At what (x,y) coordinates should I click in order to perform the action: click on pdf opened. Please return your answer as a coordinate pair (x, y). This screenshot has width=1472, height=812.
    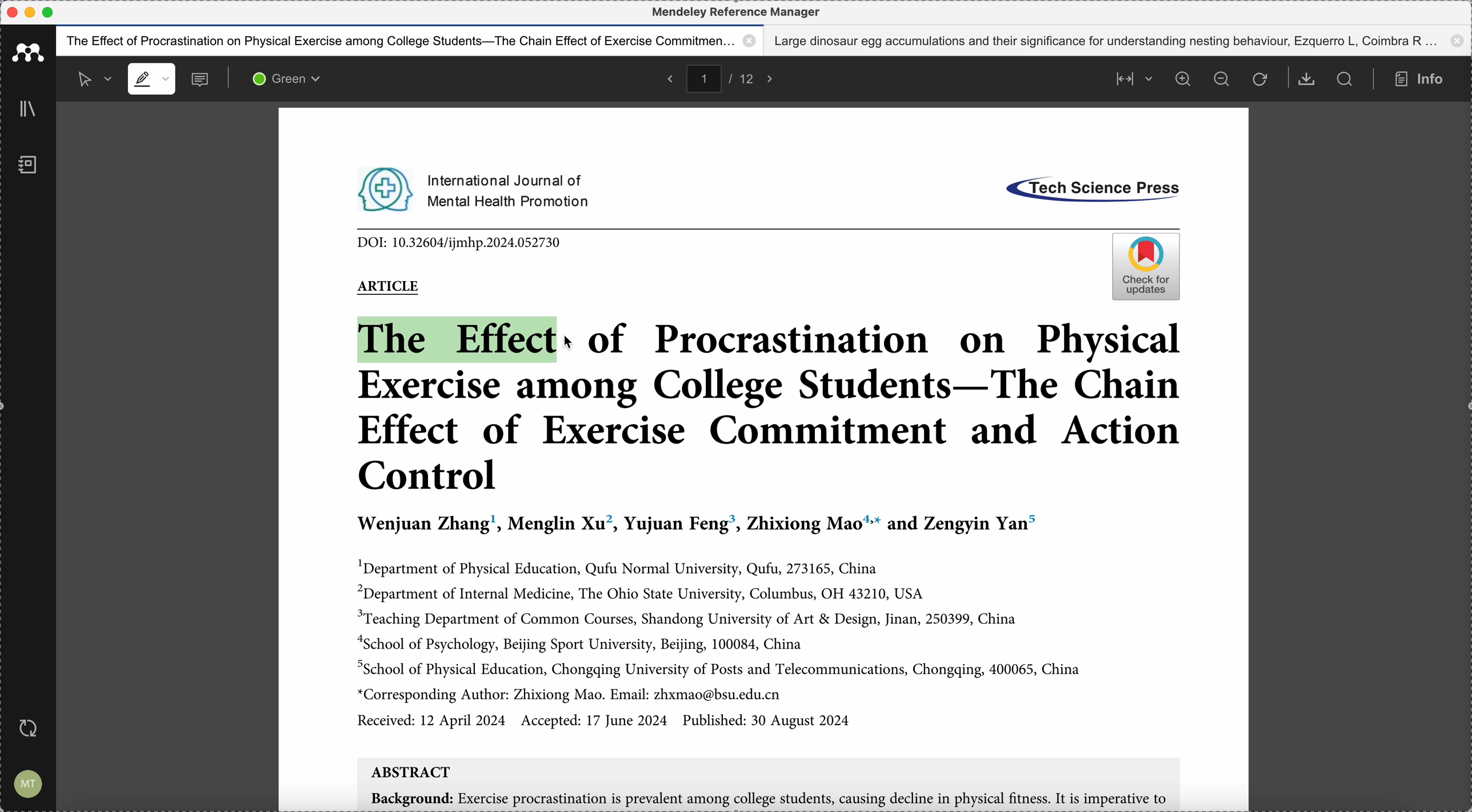
    Looking at the image, I should click on (914, 460).